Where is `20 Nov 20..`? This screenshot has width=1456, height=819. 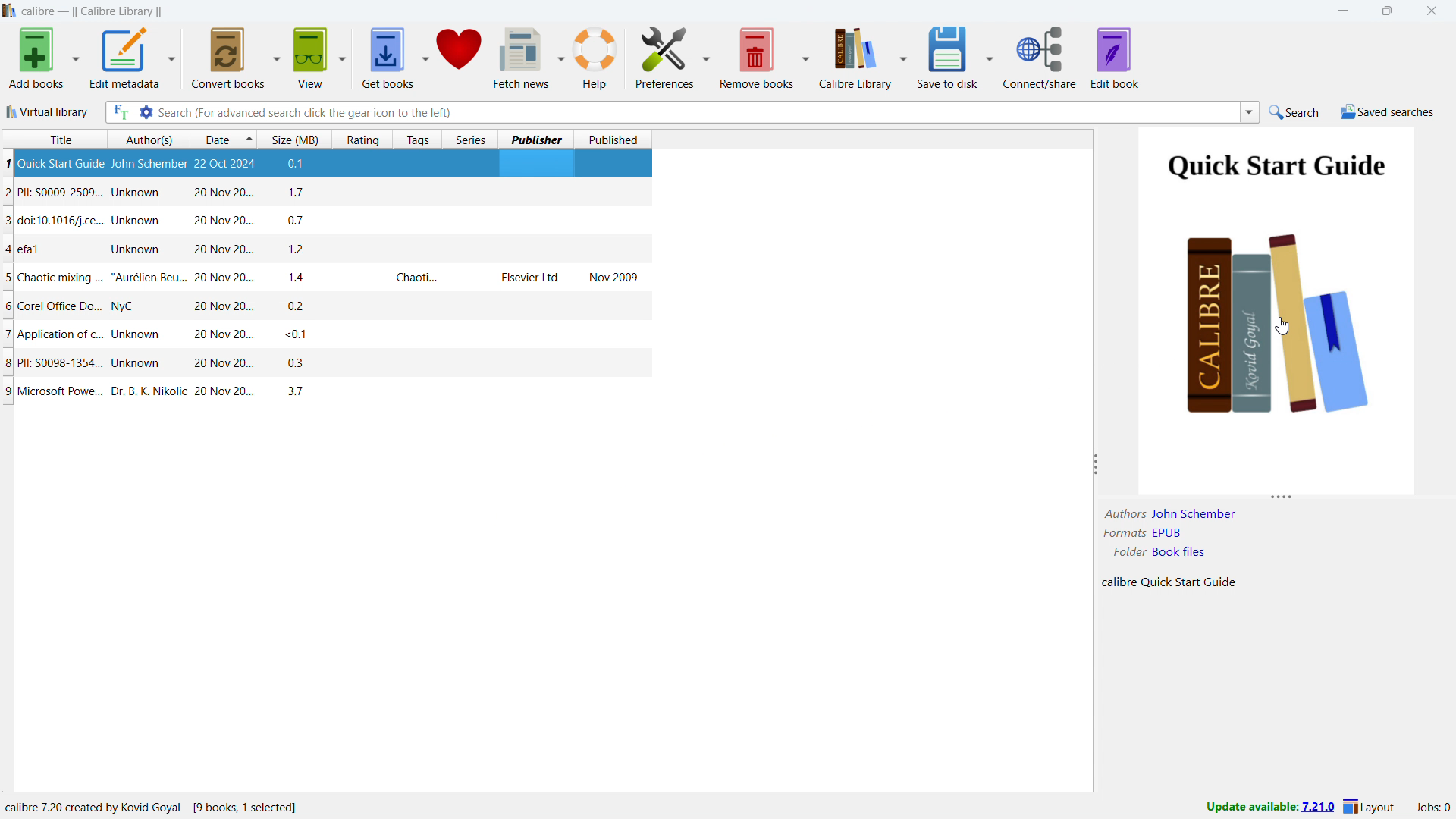 20 Nov 20.. is located at coordinates (223, 364).